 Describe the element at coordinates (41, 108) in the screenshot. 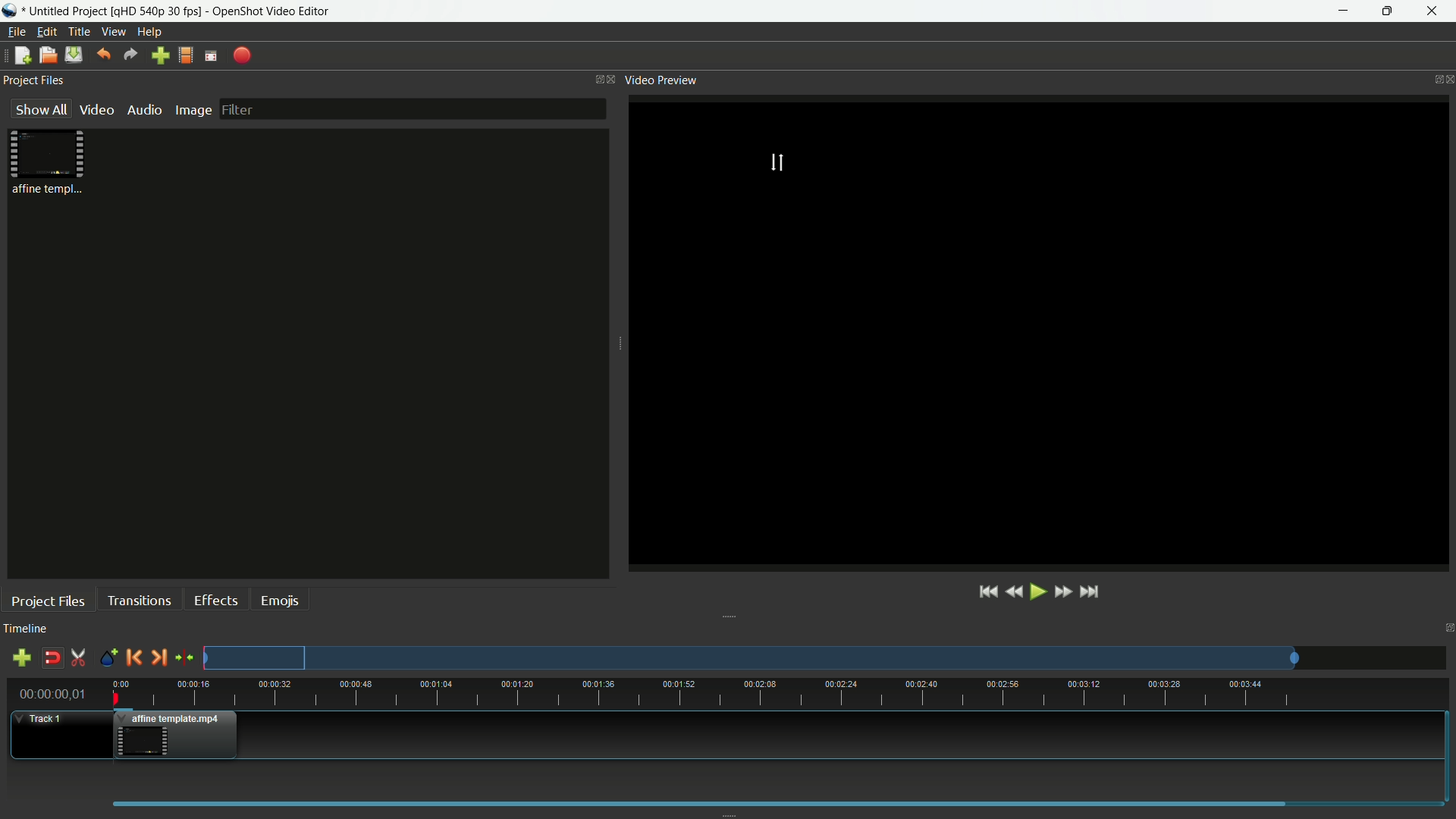

I see `show all` at that location.